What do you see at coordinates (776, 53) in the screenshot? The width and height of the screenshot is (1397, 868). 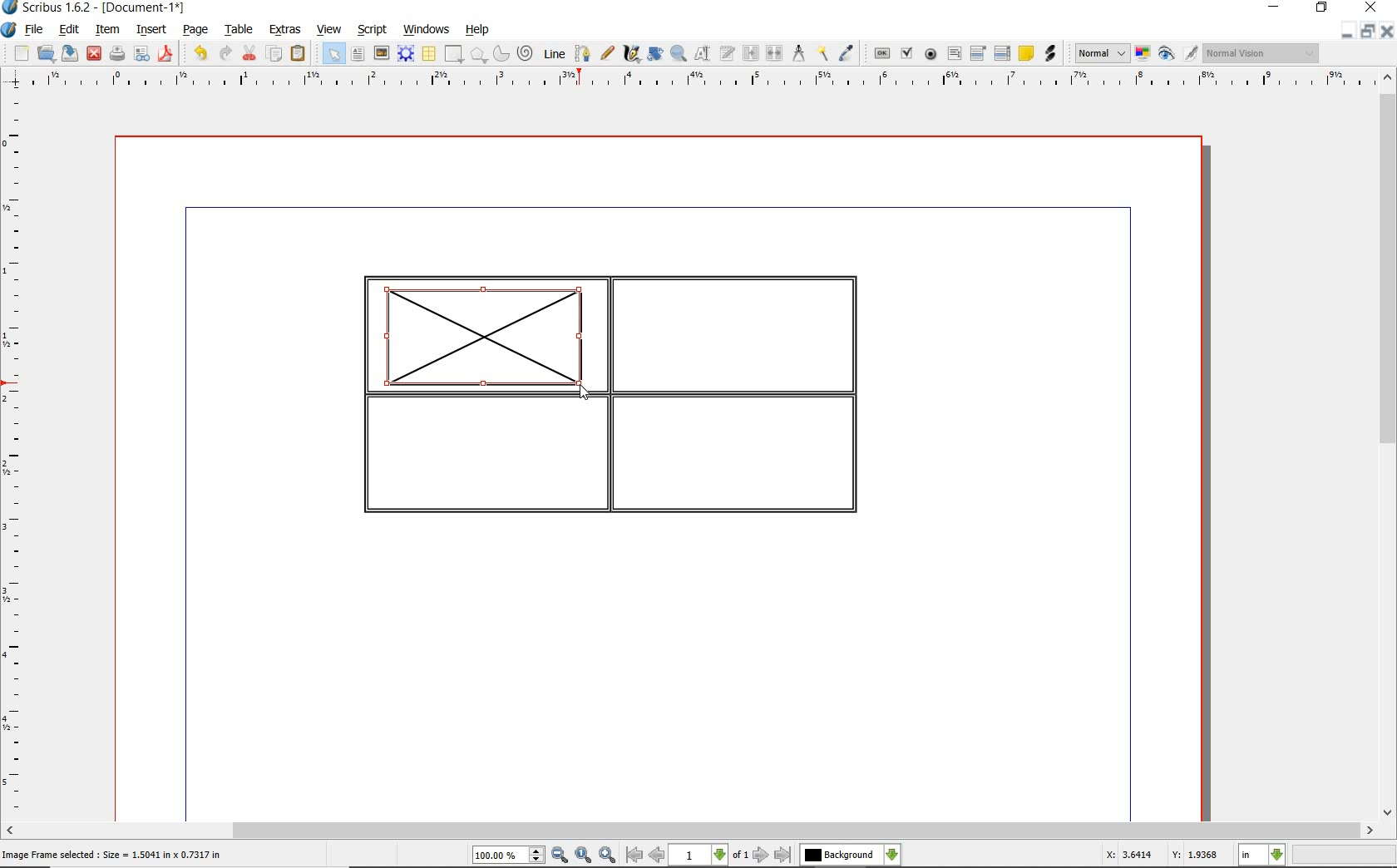 I see `unlink text frames` at bounding box center [776, 53].